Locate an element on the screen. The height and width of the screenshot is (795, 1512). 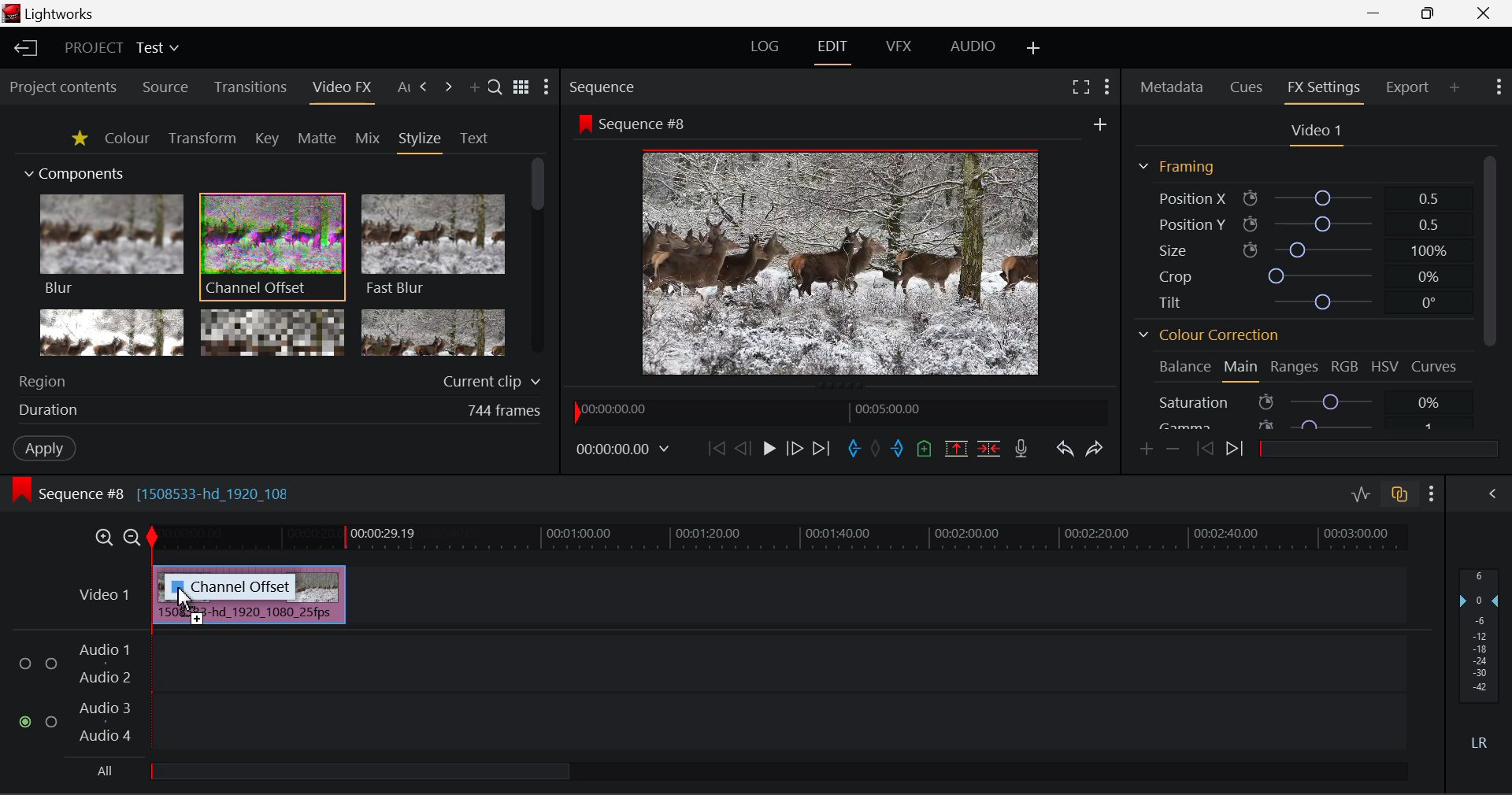
FX Settings is located at coordinates (1325, 89).